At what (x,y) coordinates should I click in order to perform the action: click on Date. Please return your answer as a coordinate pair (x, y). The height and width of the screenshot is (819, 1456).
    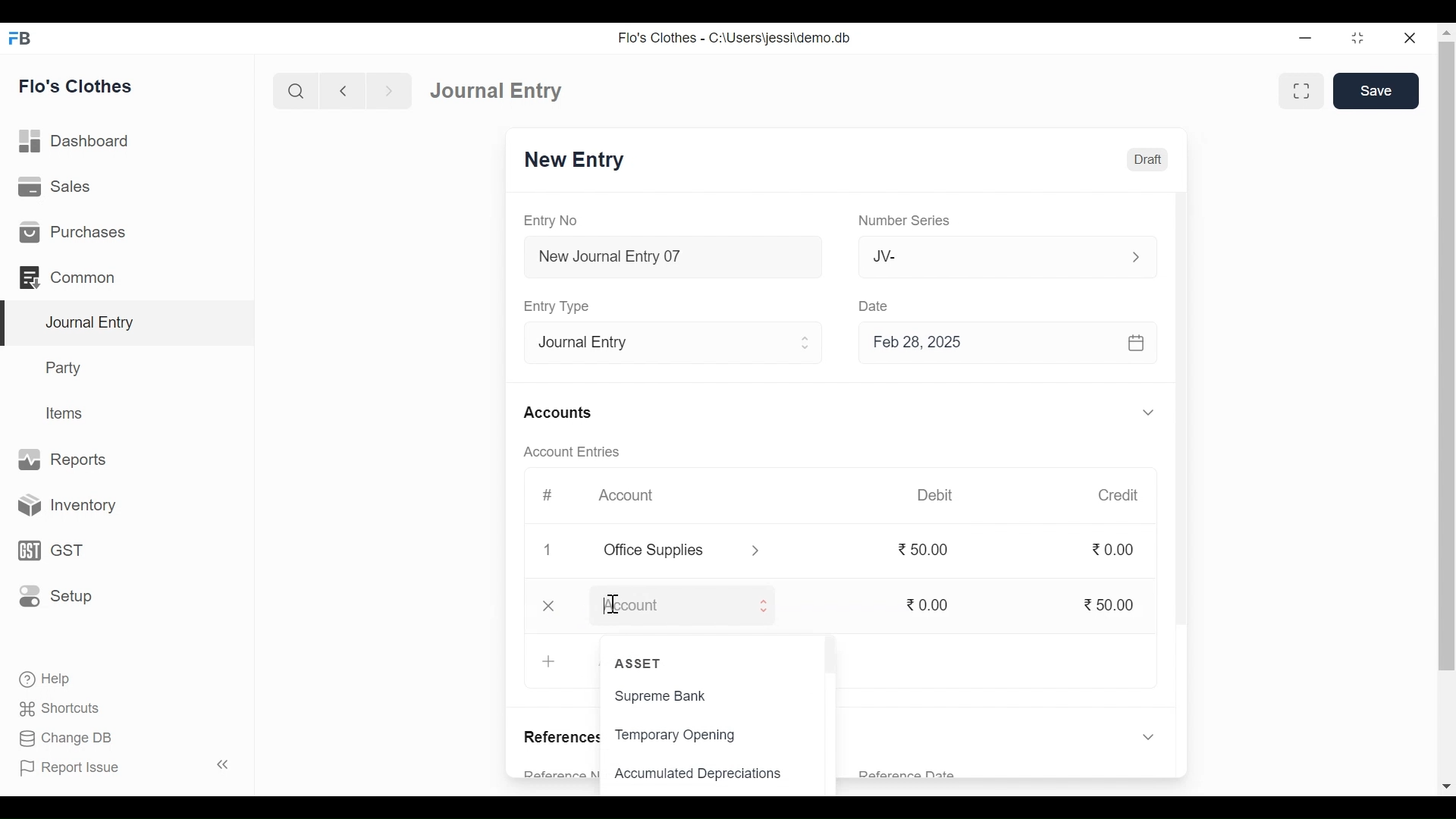
    Looking at the image, I should click on (875, 306).